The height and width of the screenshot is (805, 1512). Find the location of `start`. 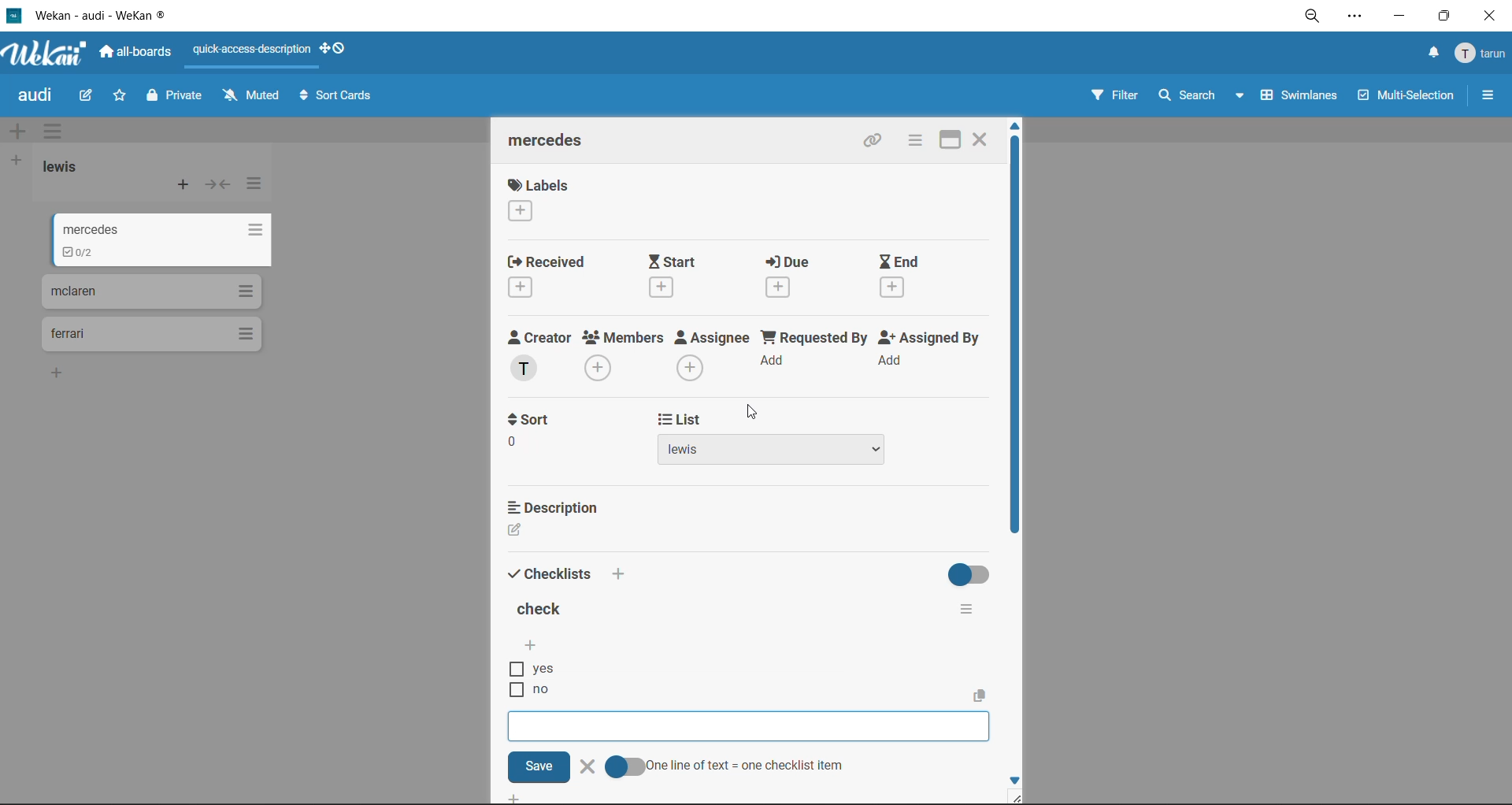

start is located at coordinates (684, 276).